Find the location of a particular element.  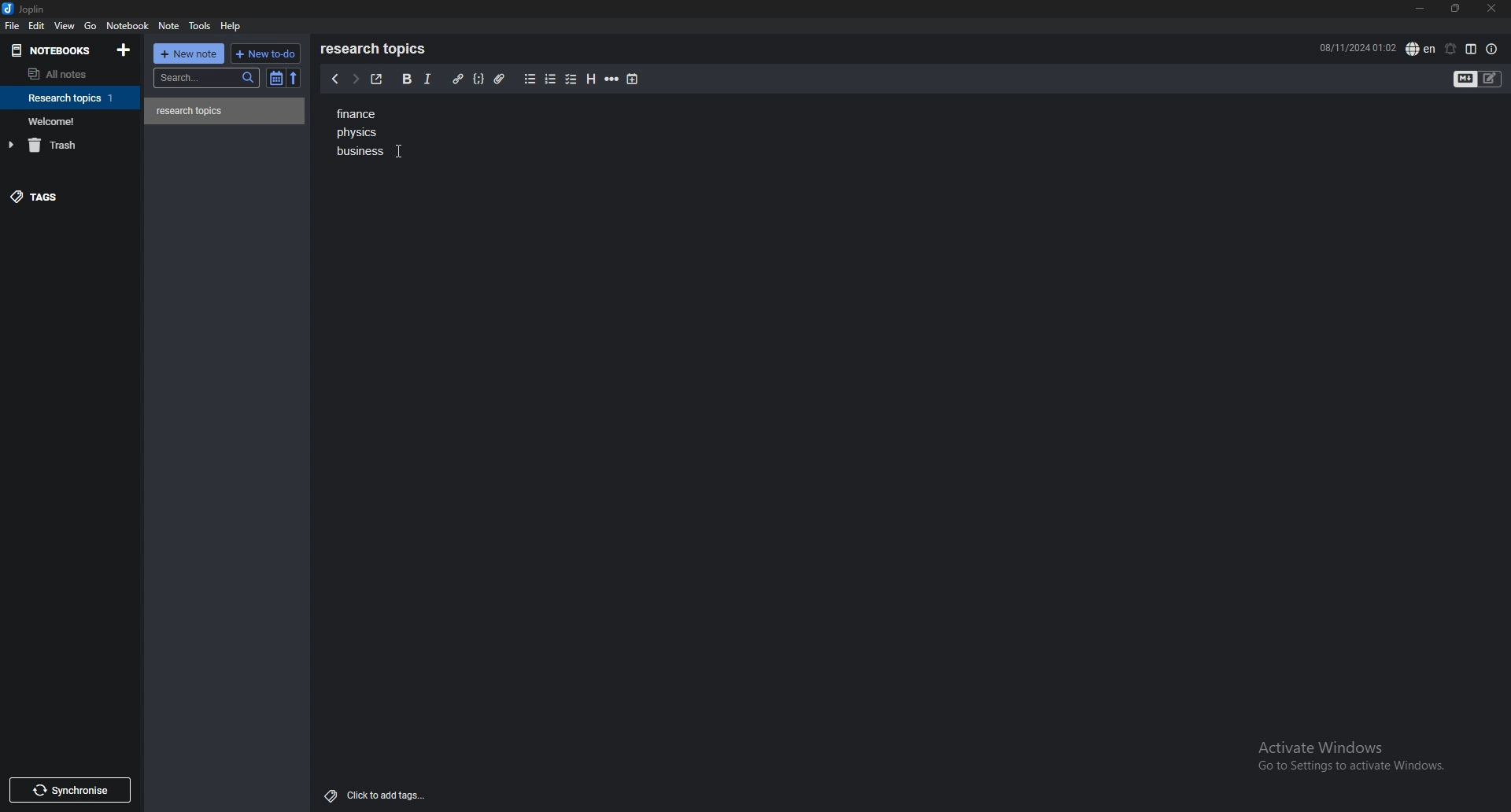

new note is located at coordinates (190, 53).